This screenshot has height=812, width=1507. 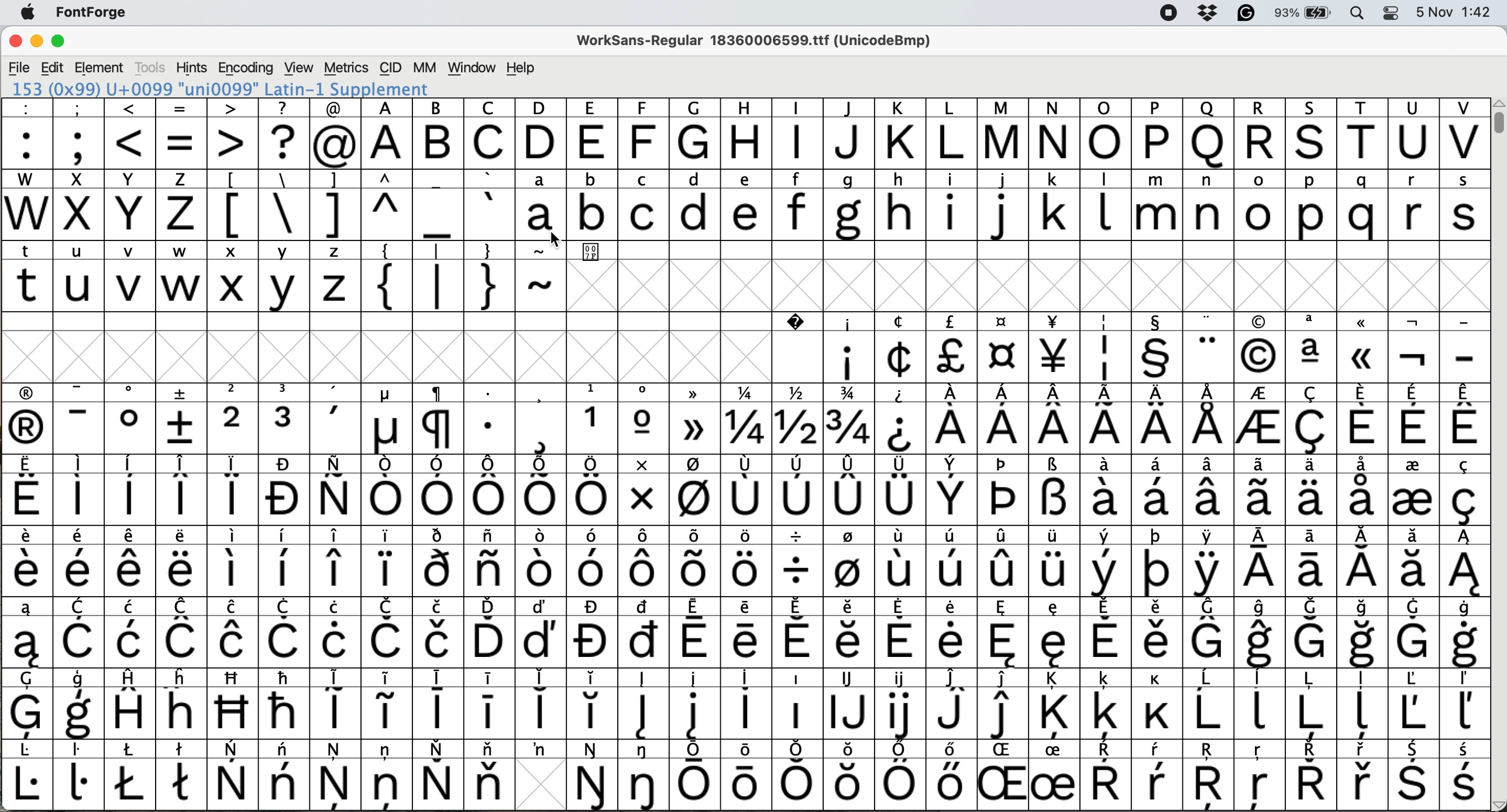 What do you see at coordinates (183, 134) in the screenshot?
I see `=` at bounding box center [183, 134].